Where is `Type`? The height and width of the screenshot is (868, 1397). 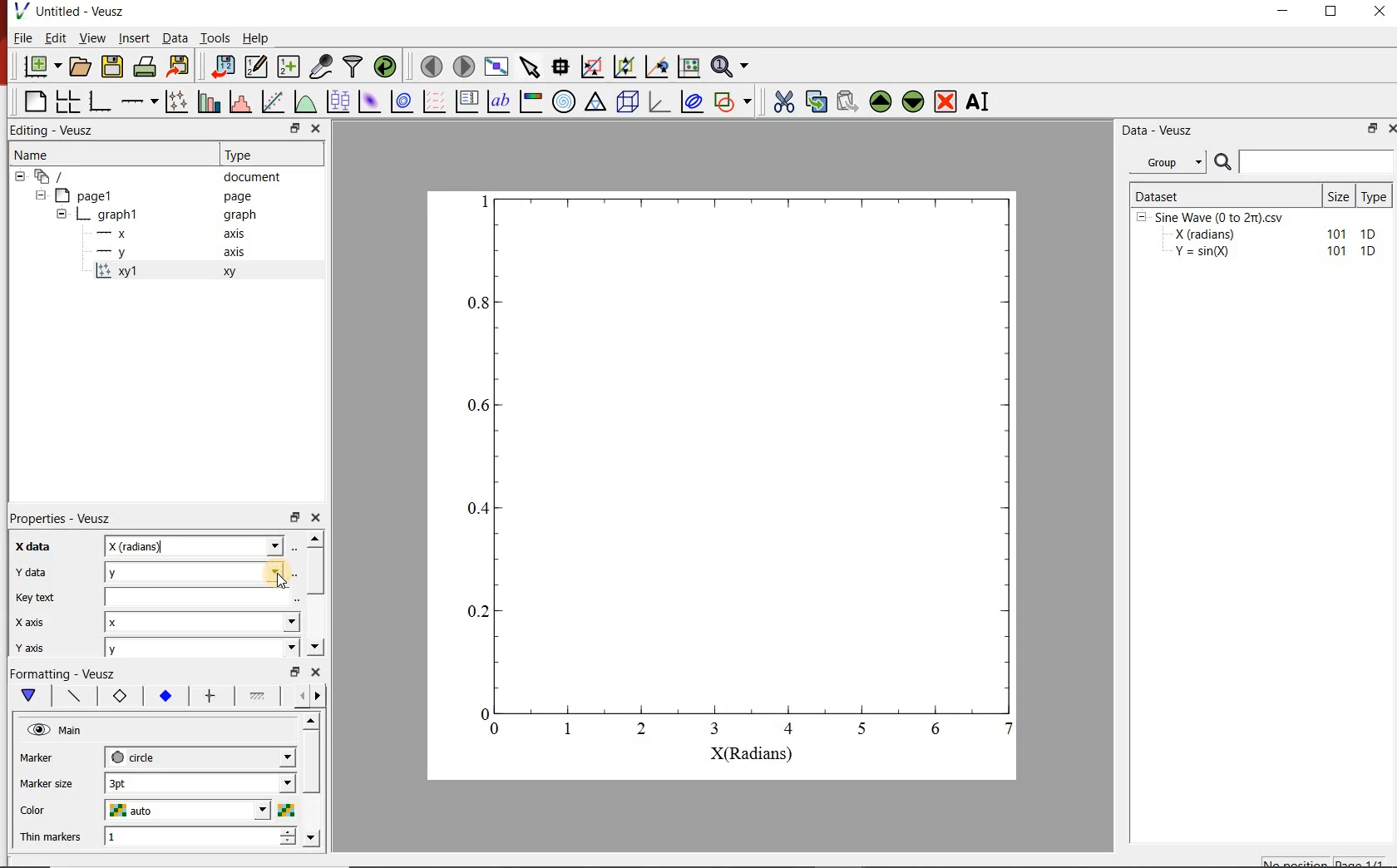 Type is located at coordinates (1377, 195).